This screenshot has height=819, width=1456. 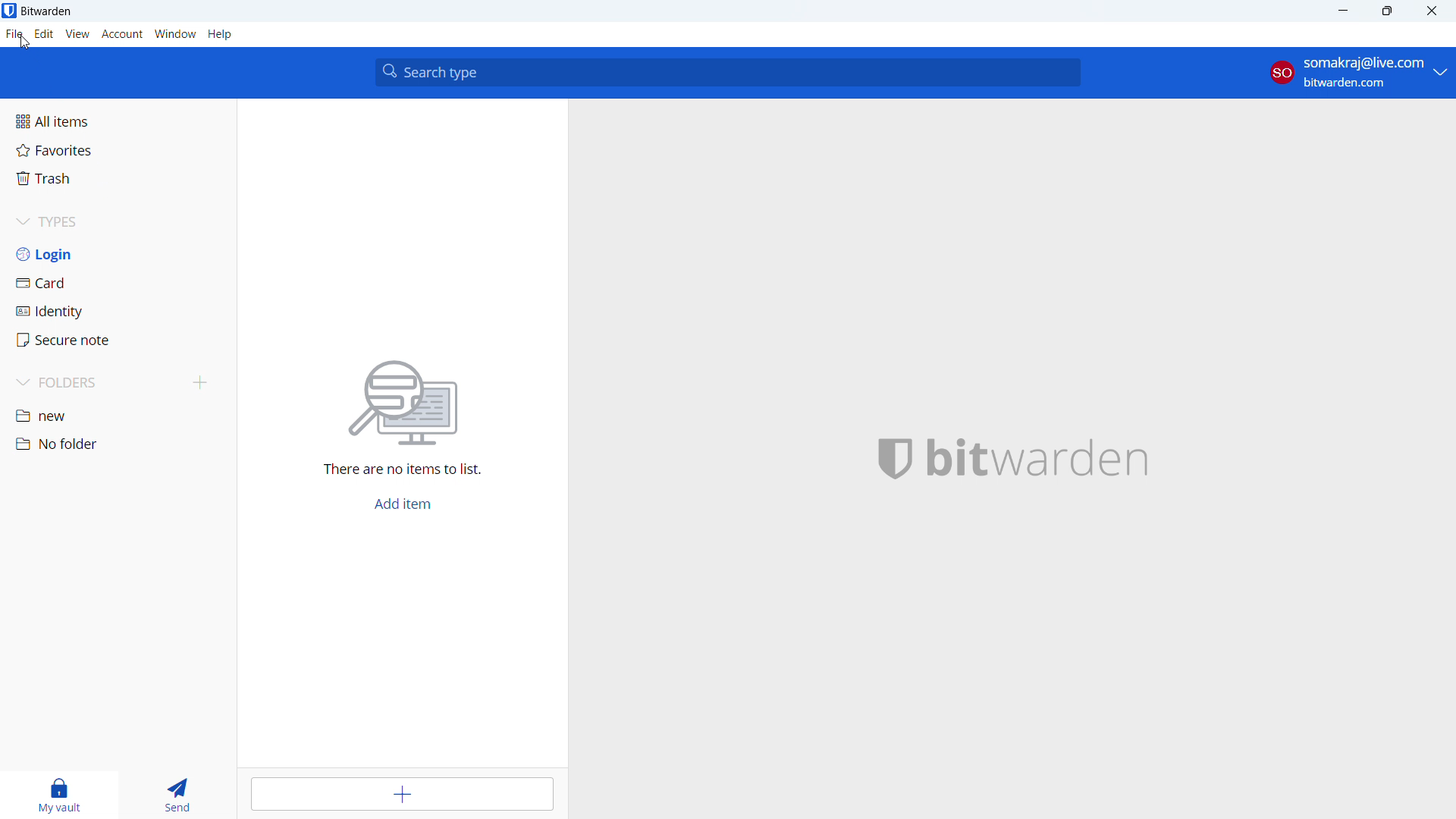 What do you see at coordinates (1059, 460) in the screenshot?
I see `bitwarden ` at bounding box center [1059, 460].